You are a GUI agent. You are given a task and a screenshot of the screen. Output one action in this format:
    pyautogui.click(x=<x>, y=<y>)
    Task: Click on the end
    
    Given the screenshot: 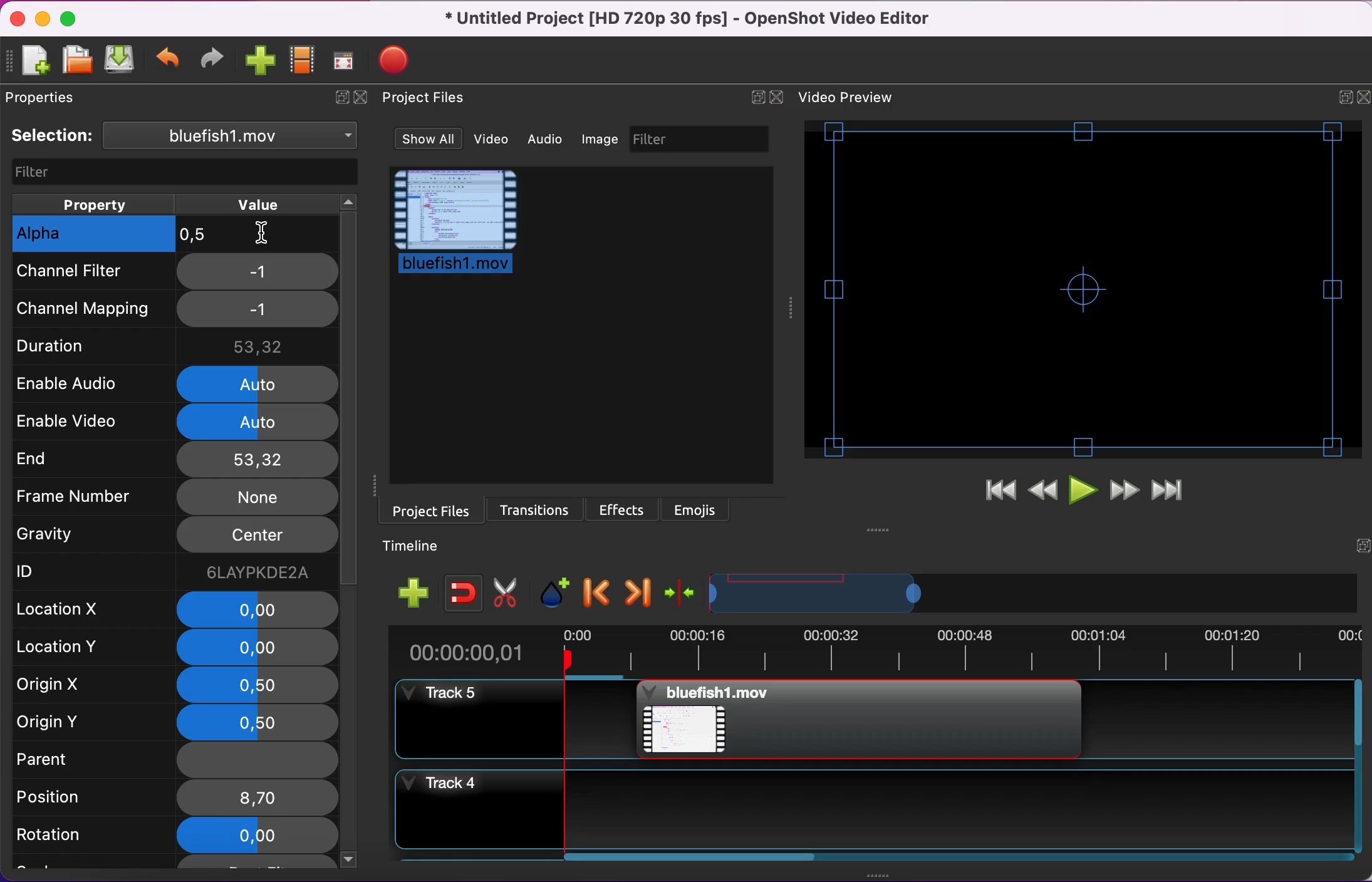 What is the action you would take?
    pyautogui.click(x=83, y=457)
    